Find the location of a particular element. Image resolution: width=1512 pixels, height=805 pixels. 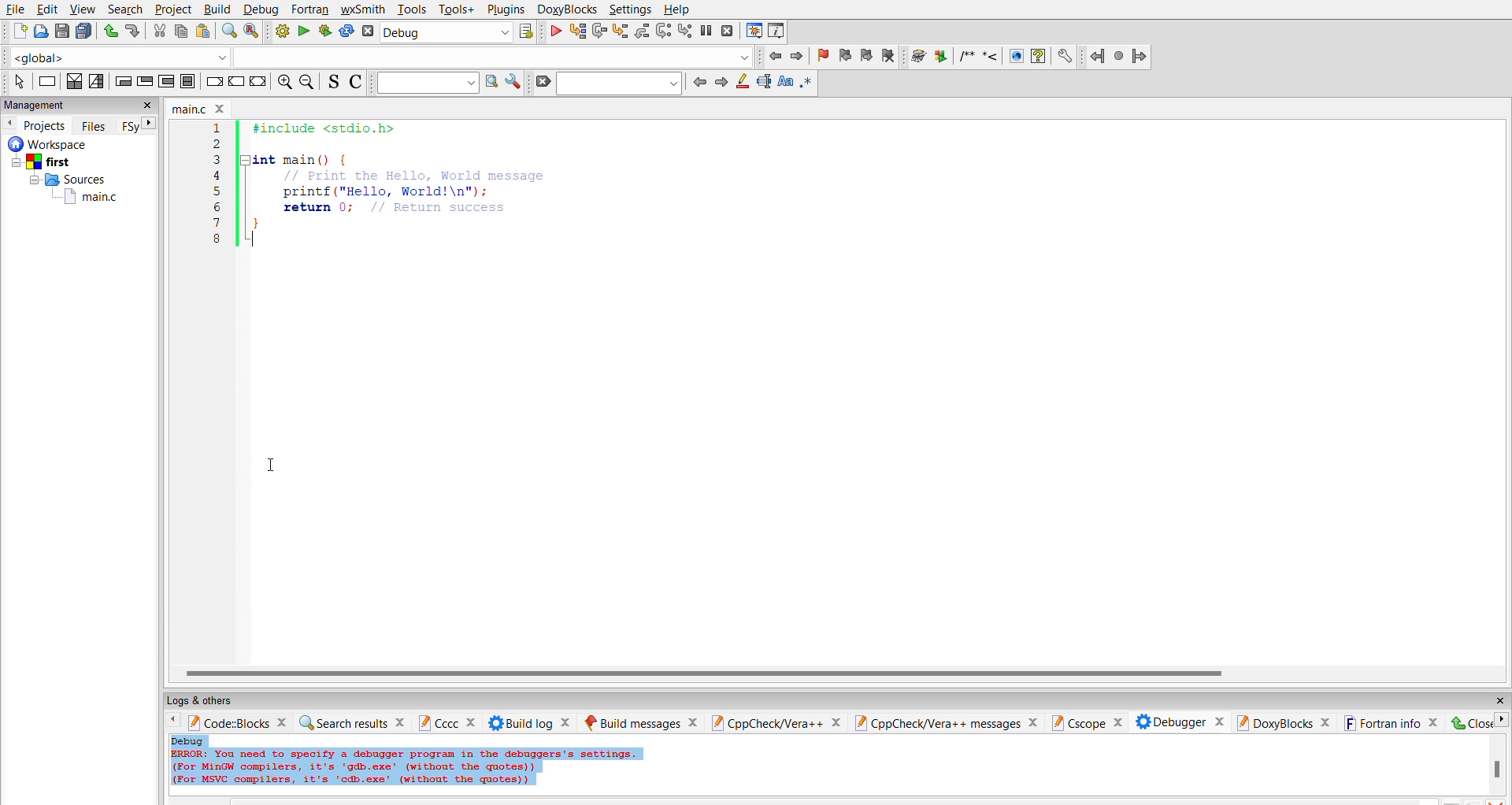

debug is located at coordinates (262, 10).